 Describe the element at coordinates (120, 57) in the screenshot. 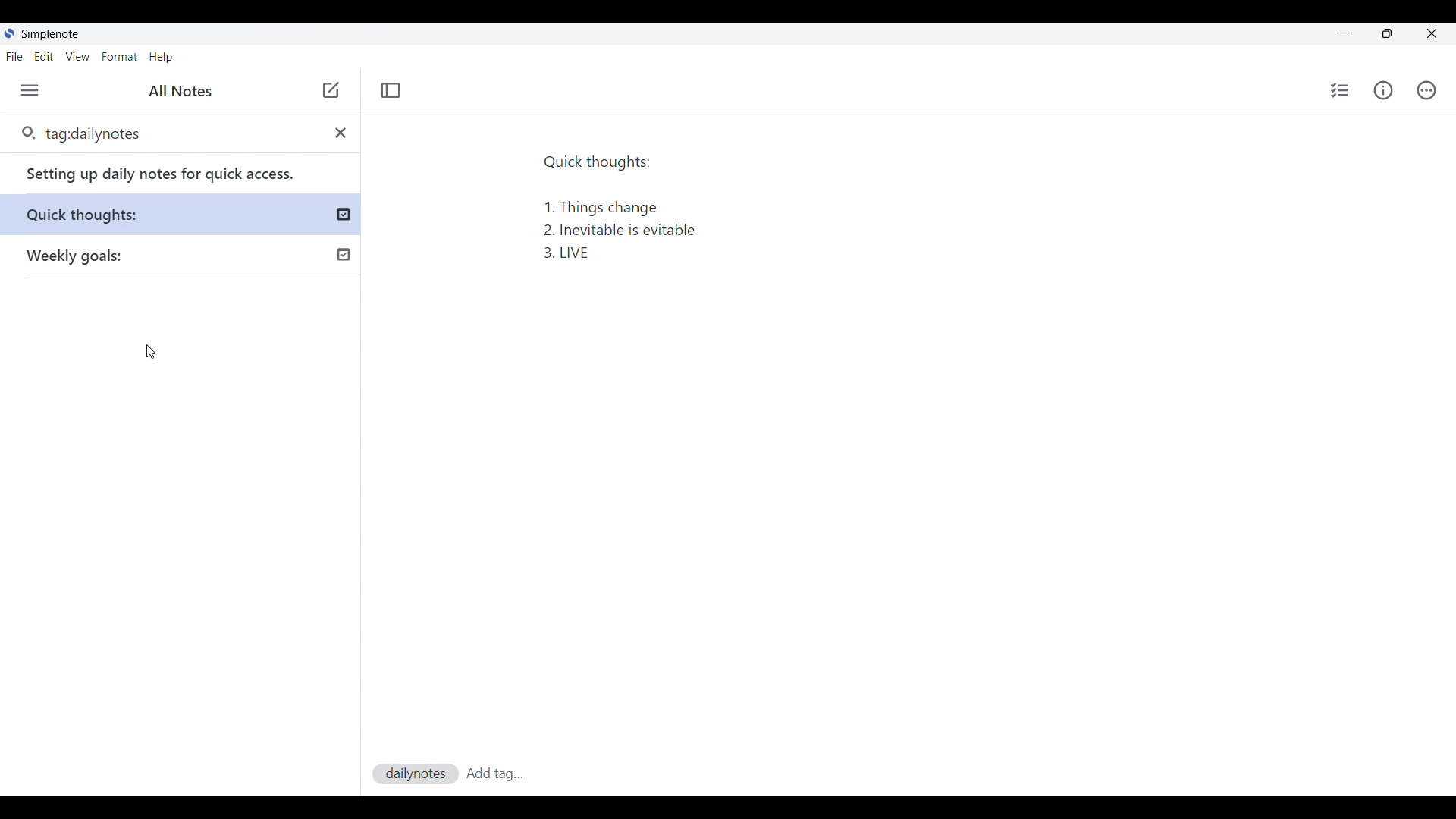

I see `Format menu` at that location.